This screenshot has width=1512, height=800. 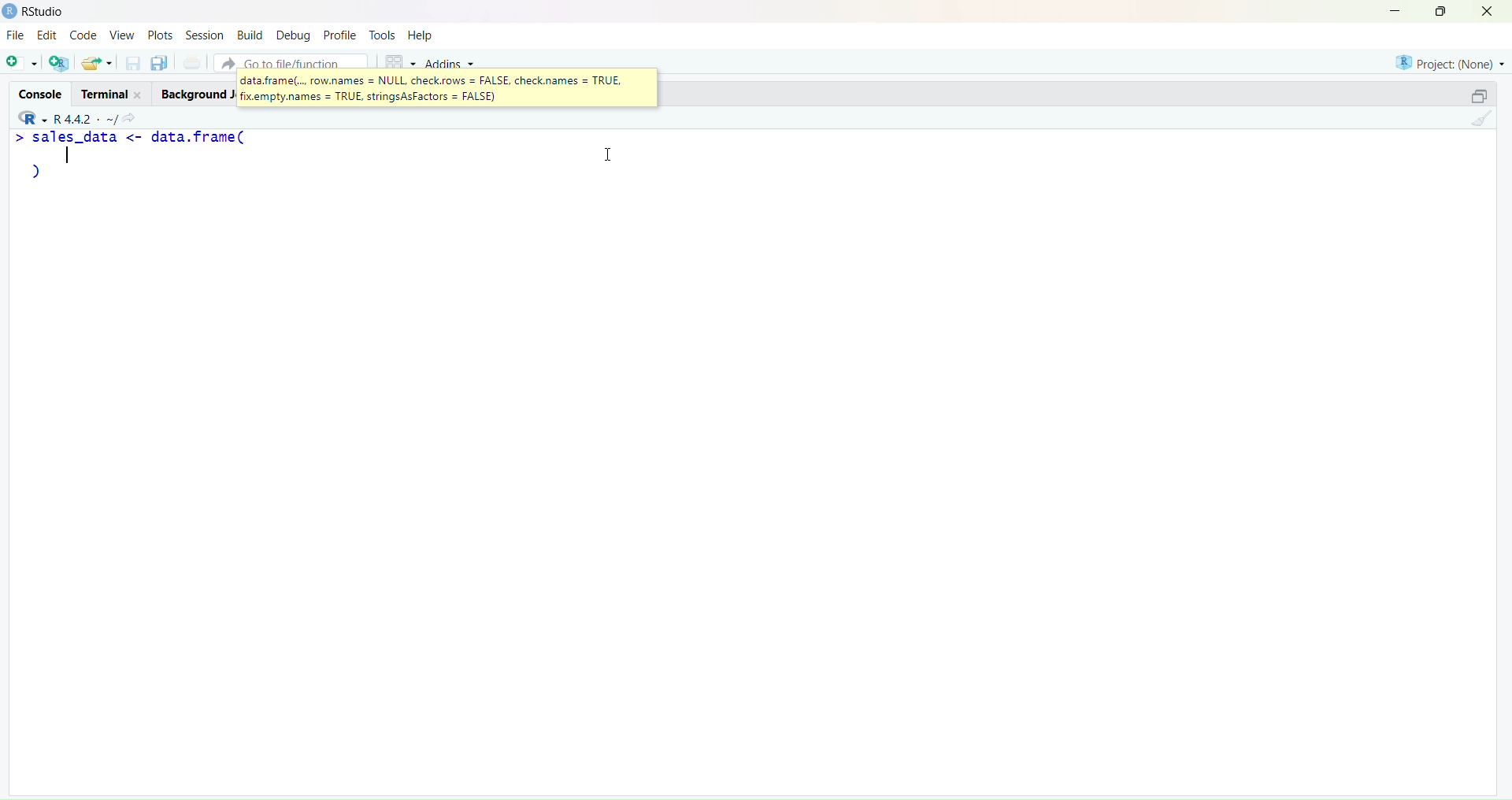 What do you see at coordinates (16, 36) in the screenshot?
I see `File` at bounding box center [16, 36].